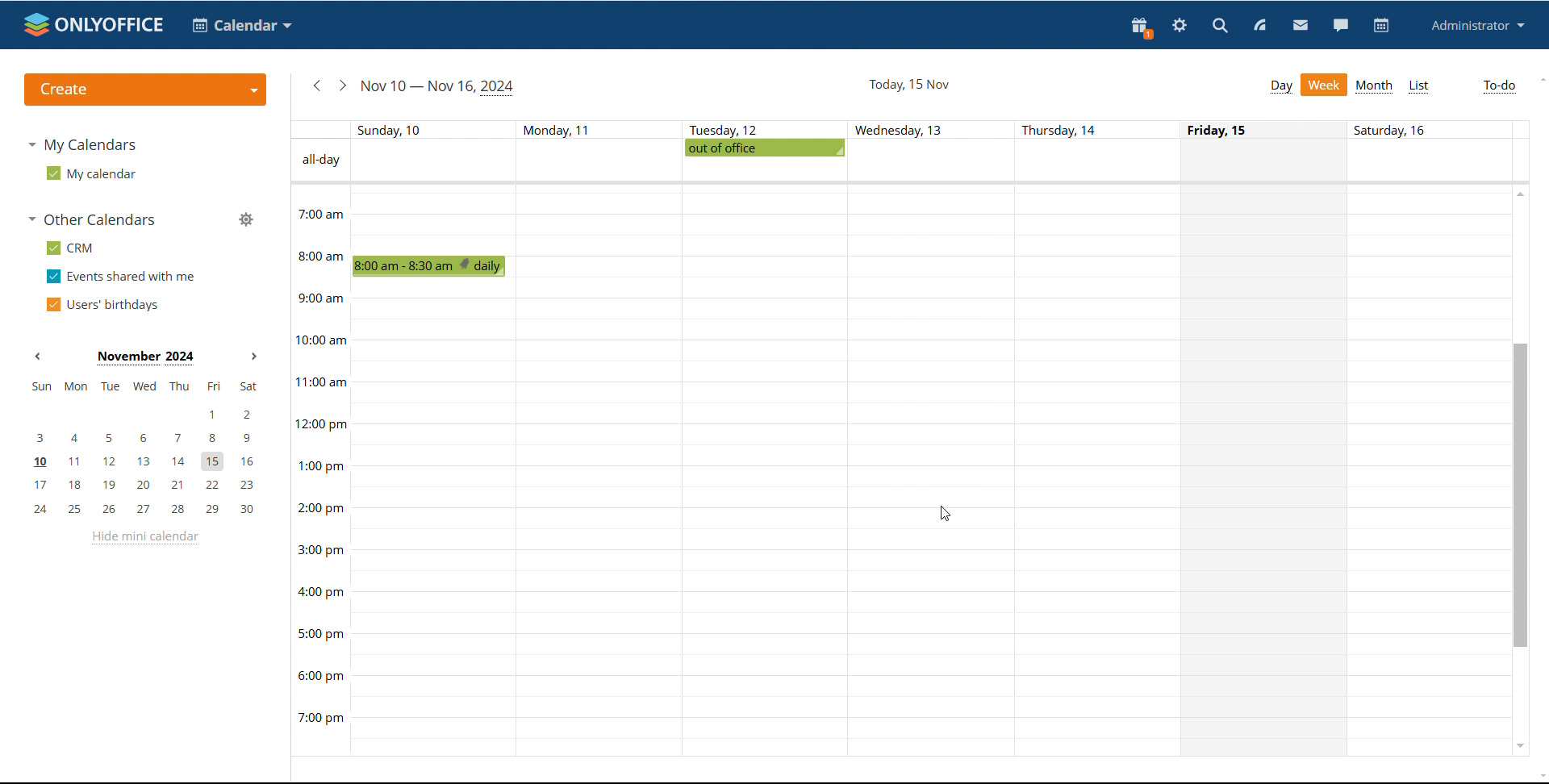 The height and width of the screenshot is (784, 1549). I want to click on next week, so click(341, 86).